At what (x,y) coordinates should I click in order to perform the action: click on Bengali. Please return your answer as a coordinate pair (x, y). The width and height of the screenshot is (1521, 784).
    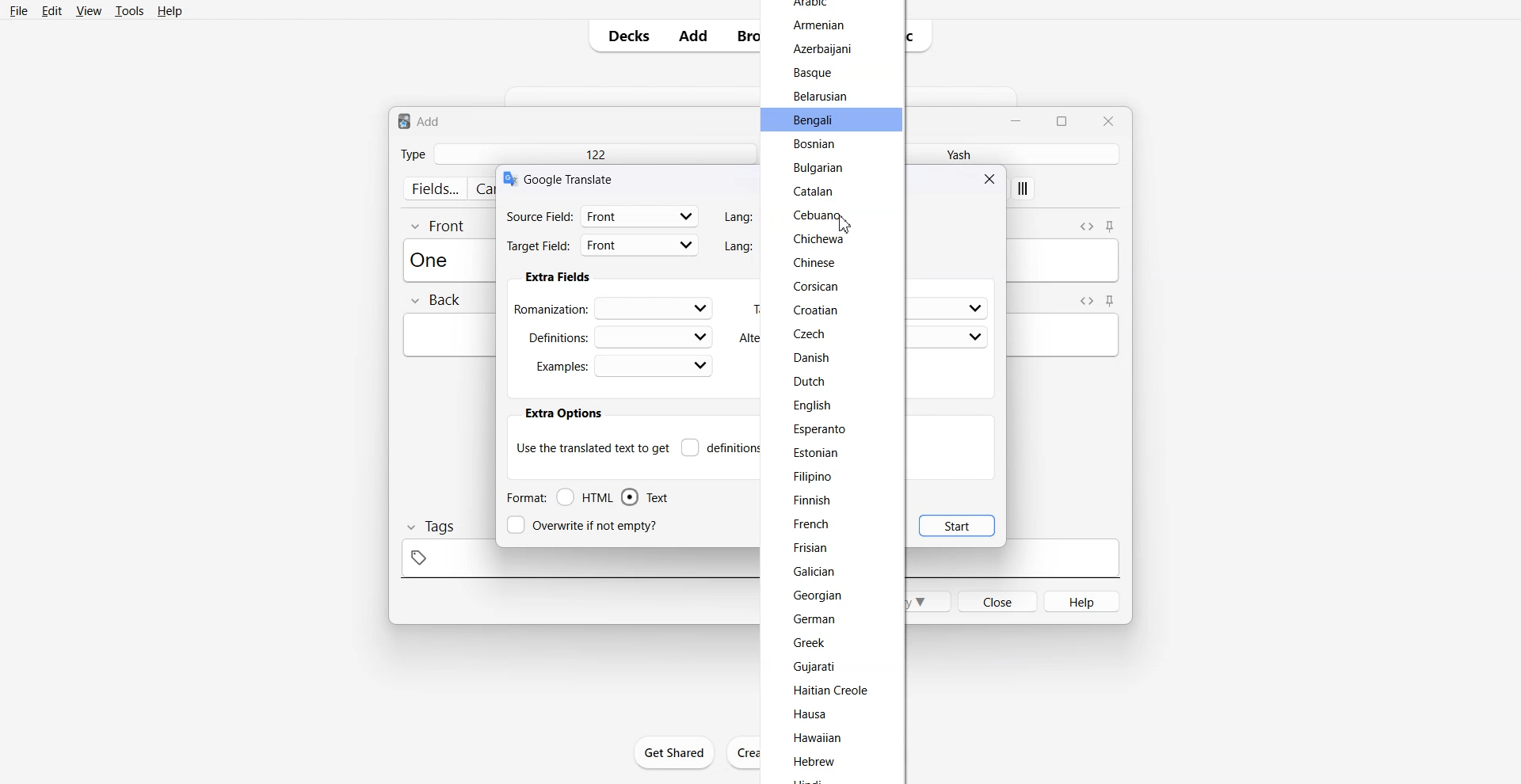
    Looking at the image, I should click on (816, 121).